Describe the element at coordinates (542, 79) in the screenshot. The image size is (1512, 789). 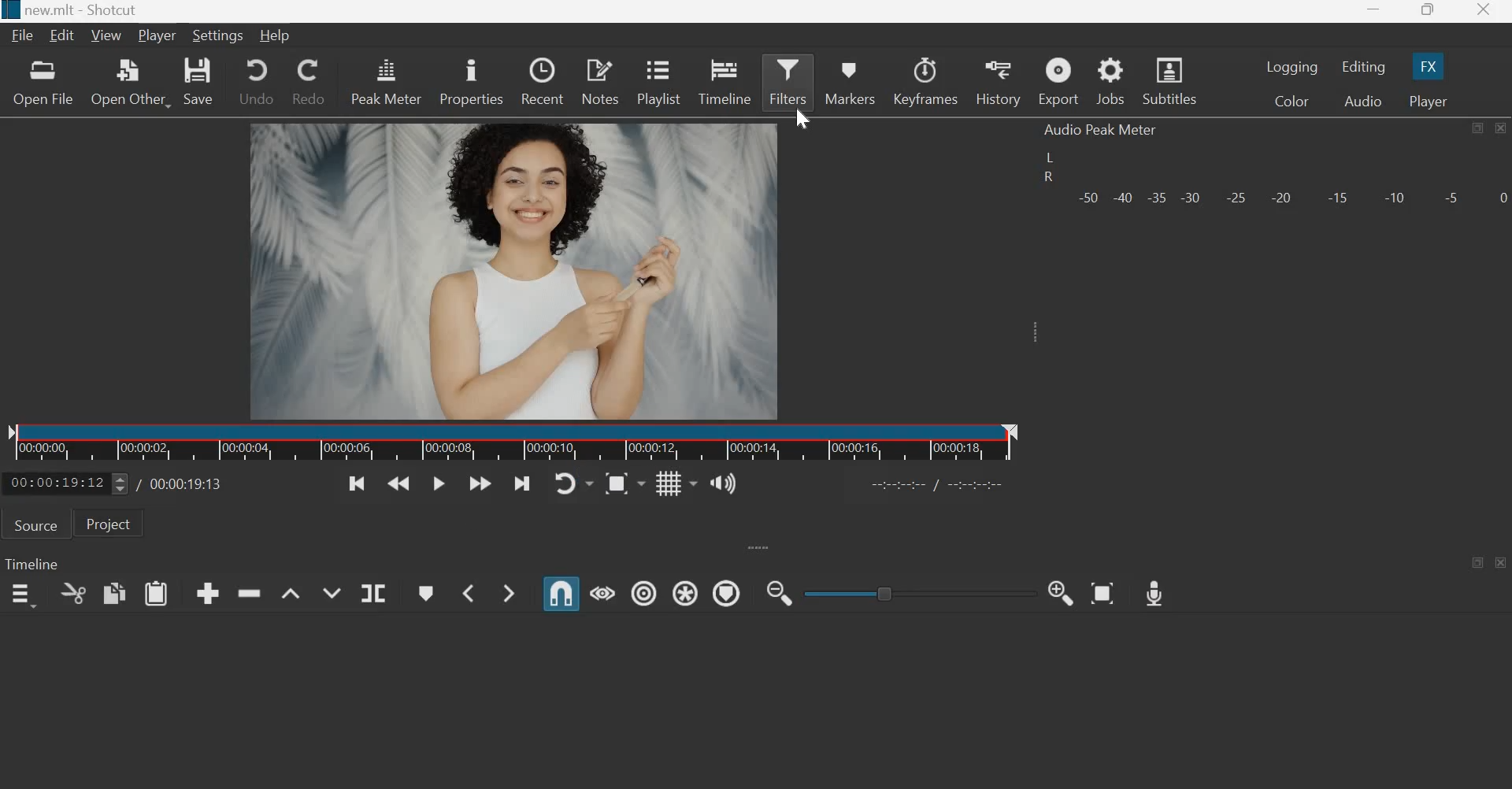
I see `recent` at that location.